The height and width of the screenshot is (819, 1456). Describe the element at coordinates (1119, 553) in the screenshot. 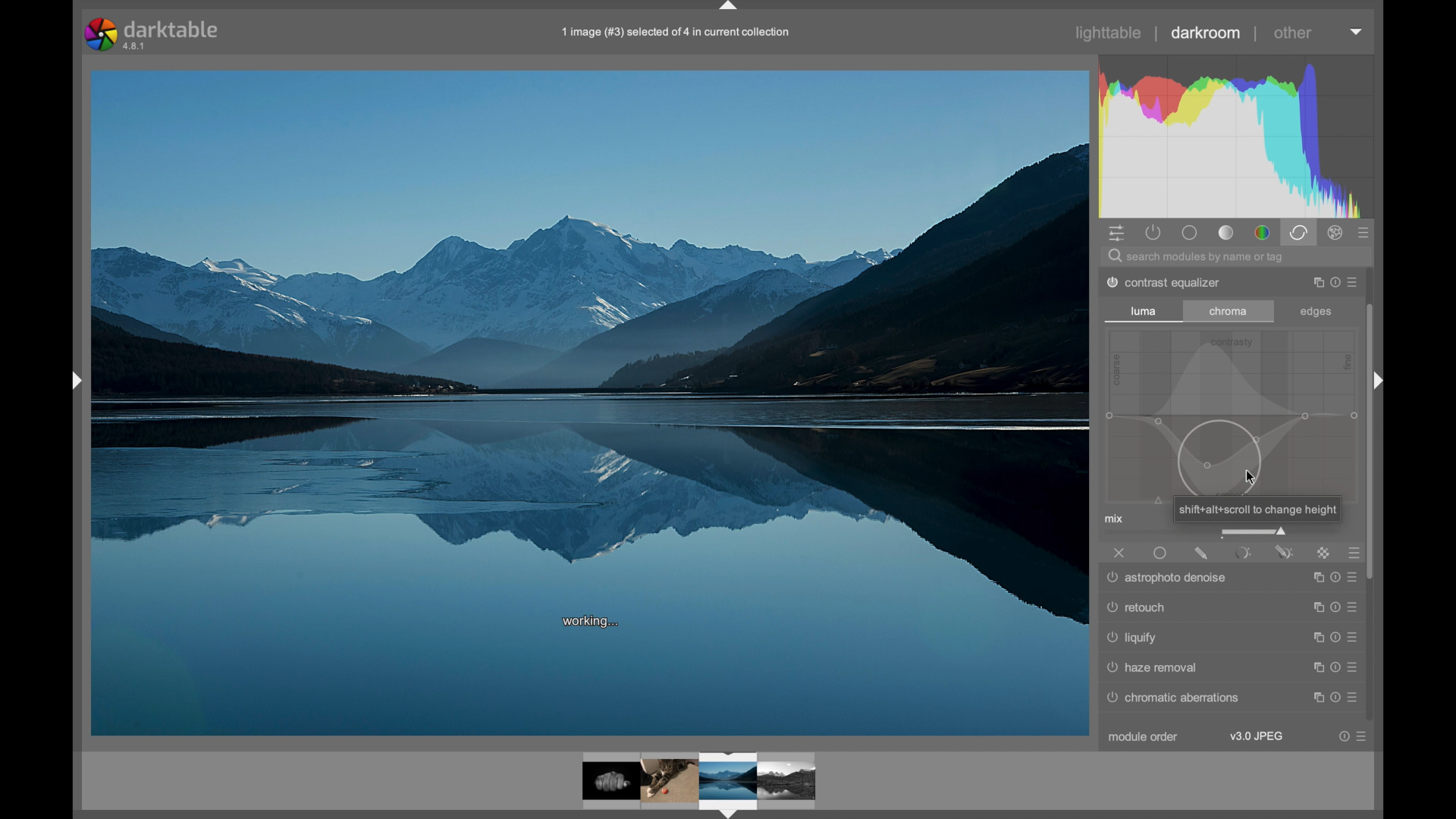

I see `off` at that location.